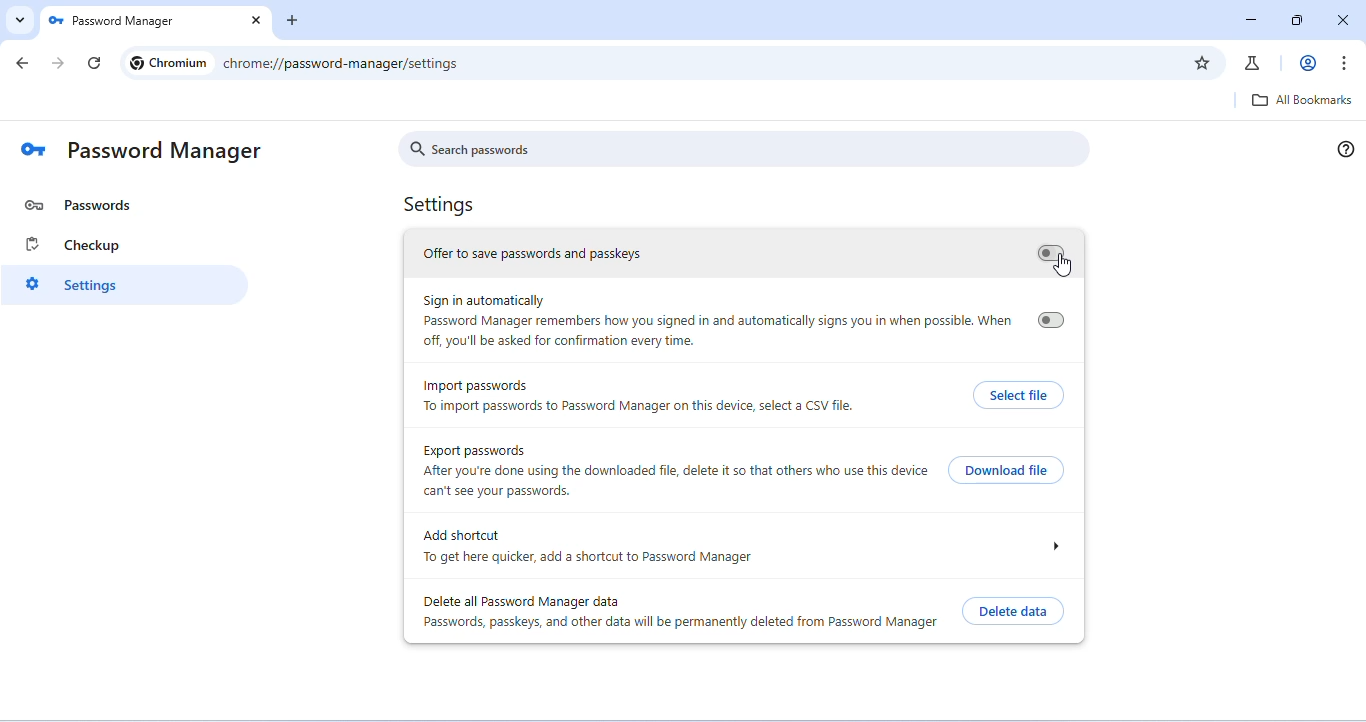 This screenshot has width=1366, height=722. What do you see at coordinates (1254, 63) in the screenshot?
I see `chrome labs` at bounding box center [1254, 63].